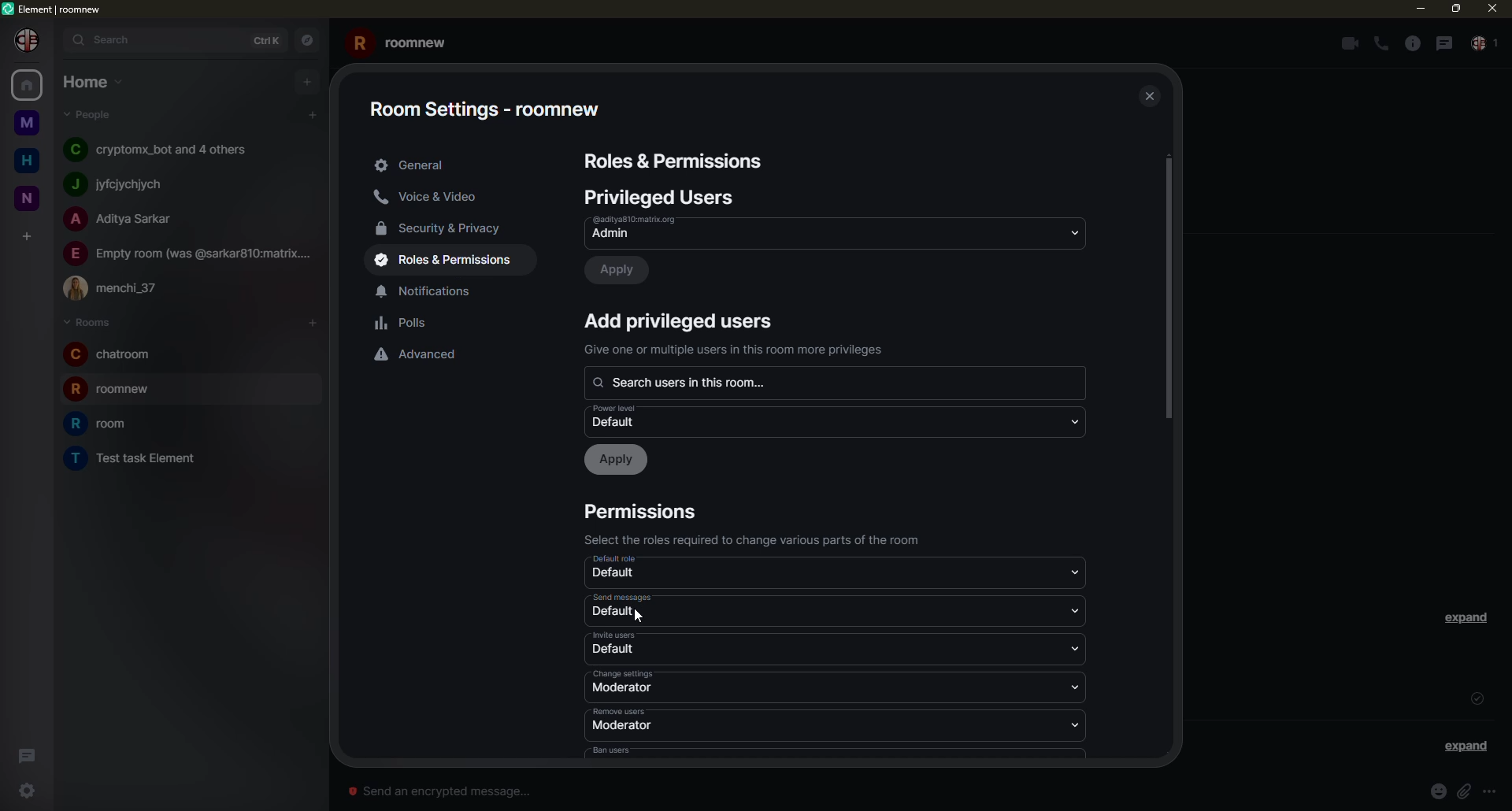 This screenshot has height=811, width=1512. Describe the element at coordinates (105, 424) in the screenshot. I see `room` at that location.